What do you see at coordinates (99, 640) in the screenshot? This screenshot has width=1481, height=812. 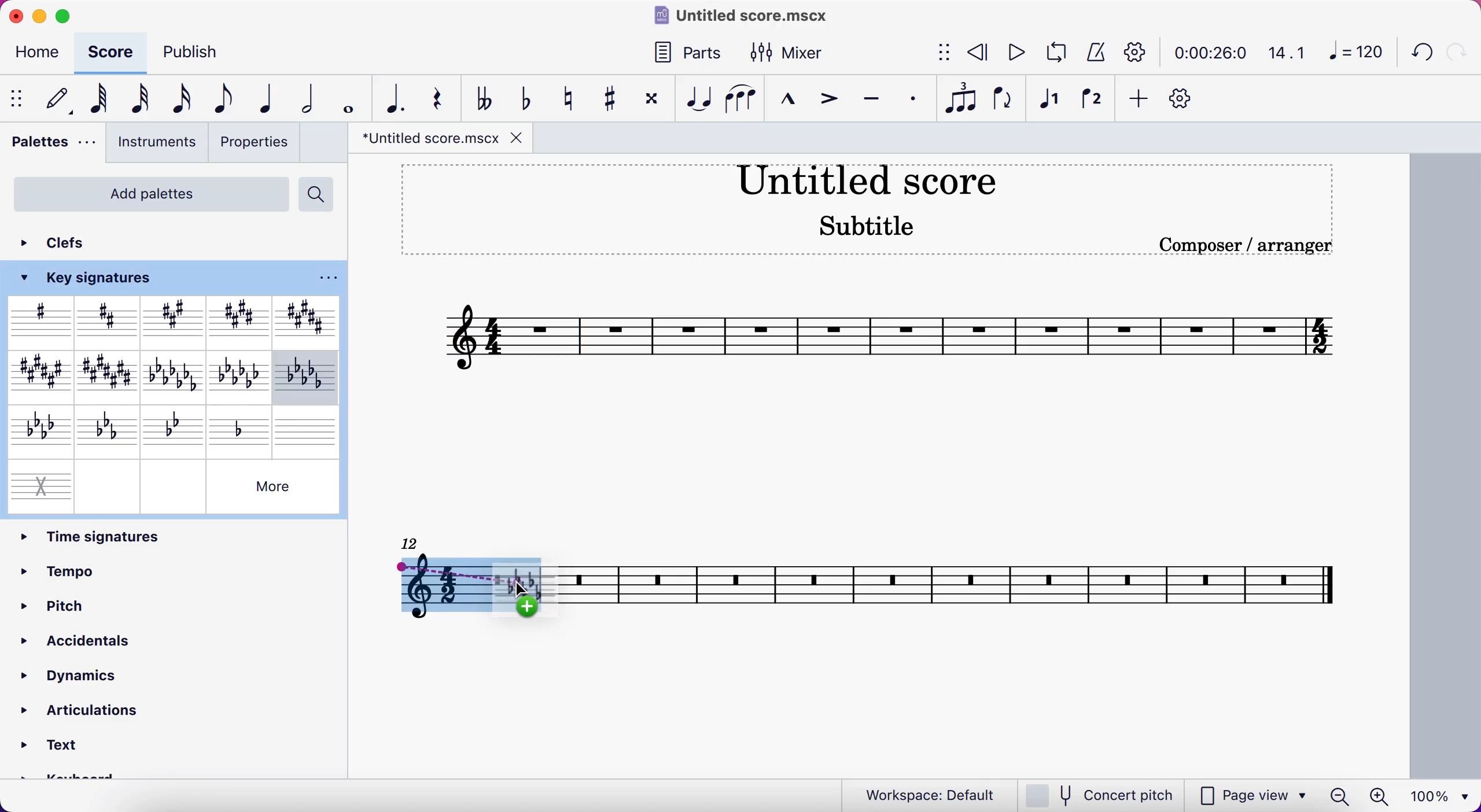 I see `accidentals` at bounding box center [99, 640].